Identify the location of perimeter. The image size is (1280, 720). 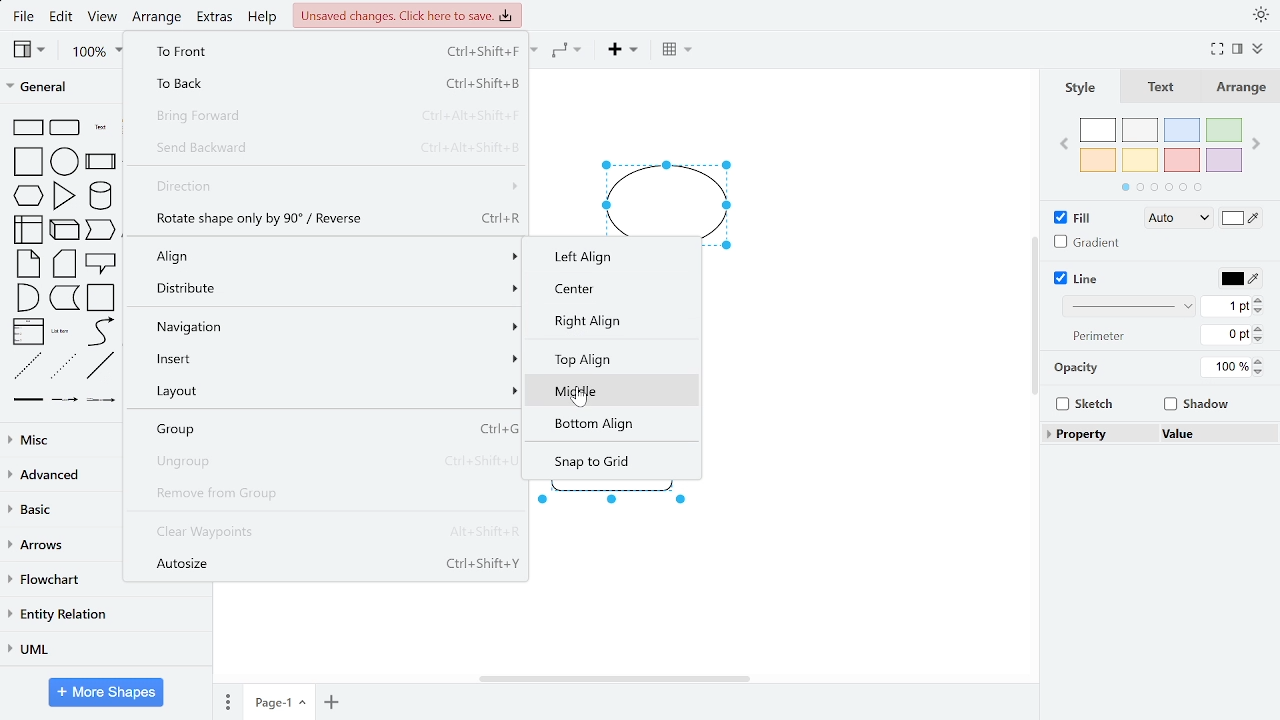
(1100, 337).